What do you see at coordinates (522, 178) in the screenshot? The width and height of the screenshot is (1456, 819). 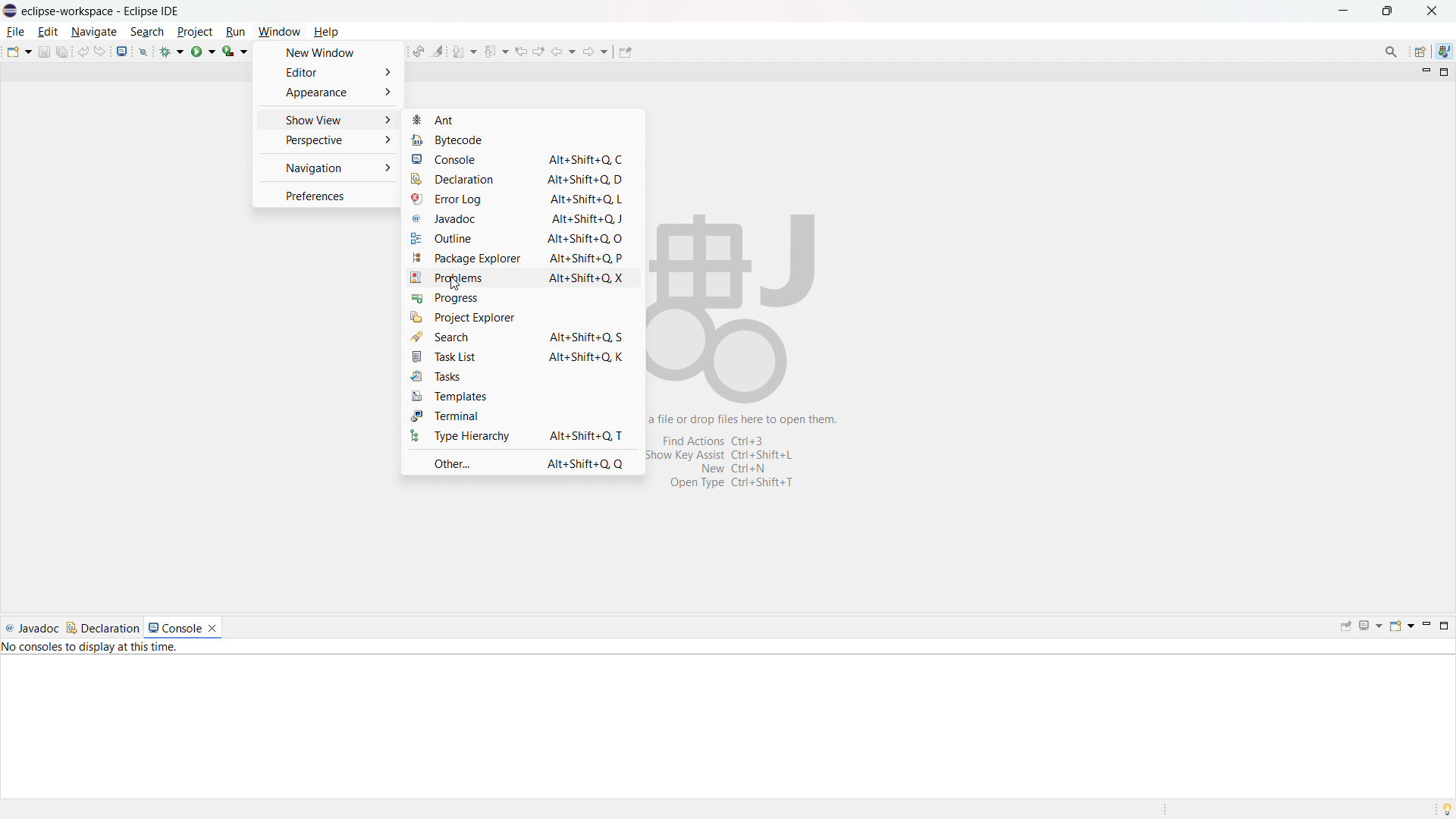 I see `declaration` at bounding box center [522, 178].